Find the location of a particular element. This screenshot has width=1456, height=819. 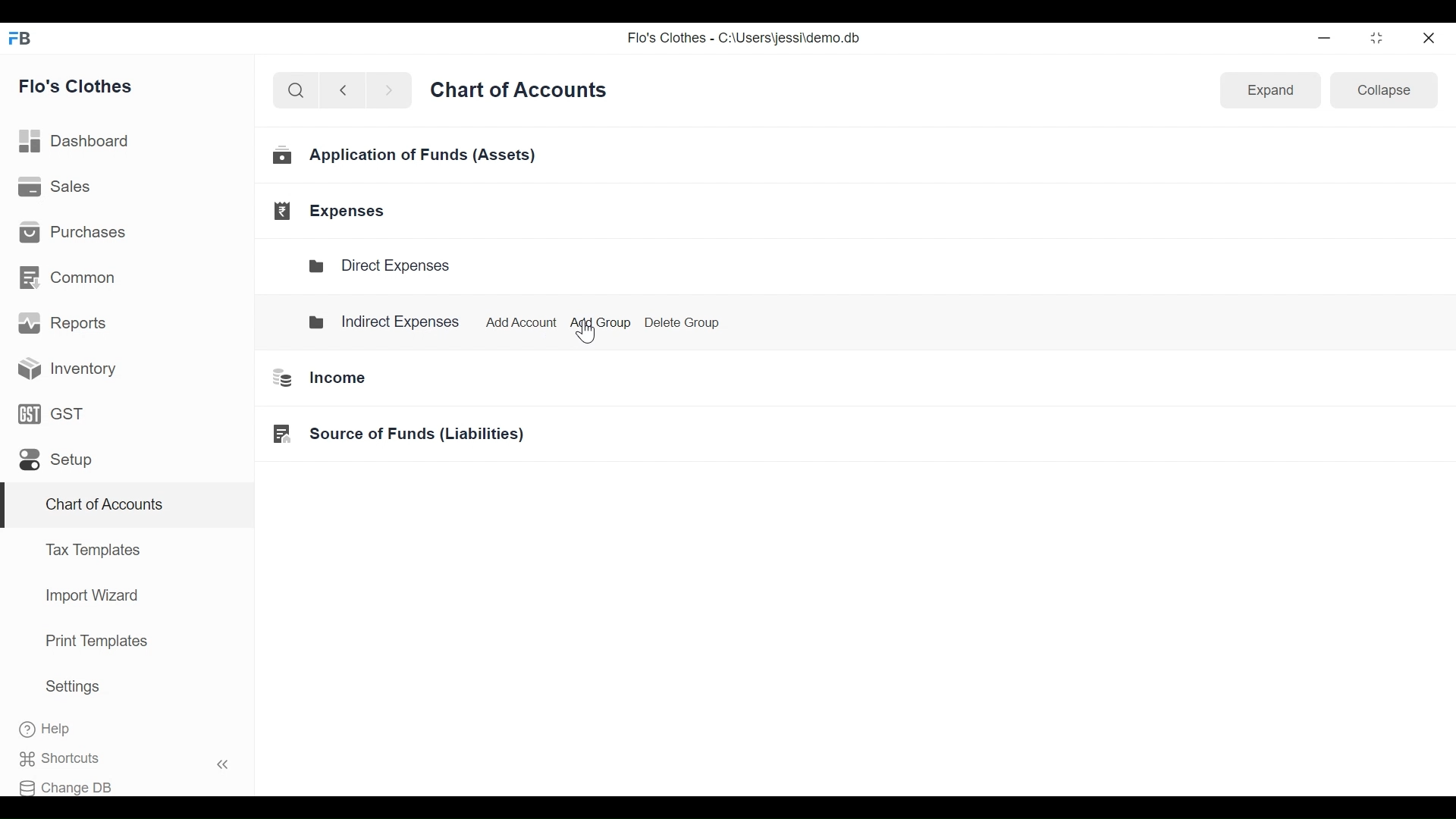

Inventory is located at coordinates (62, 368).